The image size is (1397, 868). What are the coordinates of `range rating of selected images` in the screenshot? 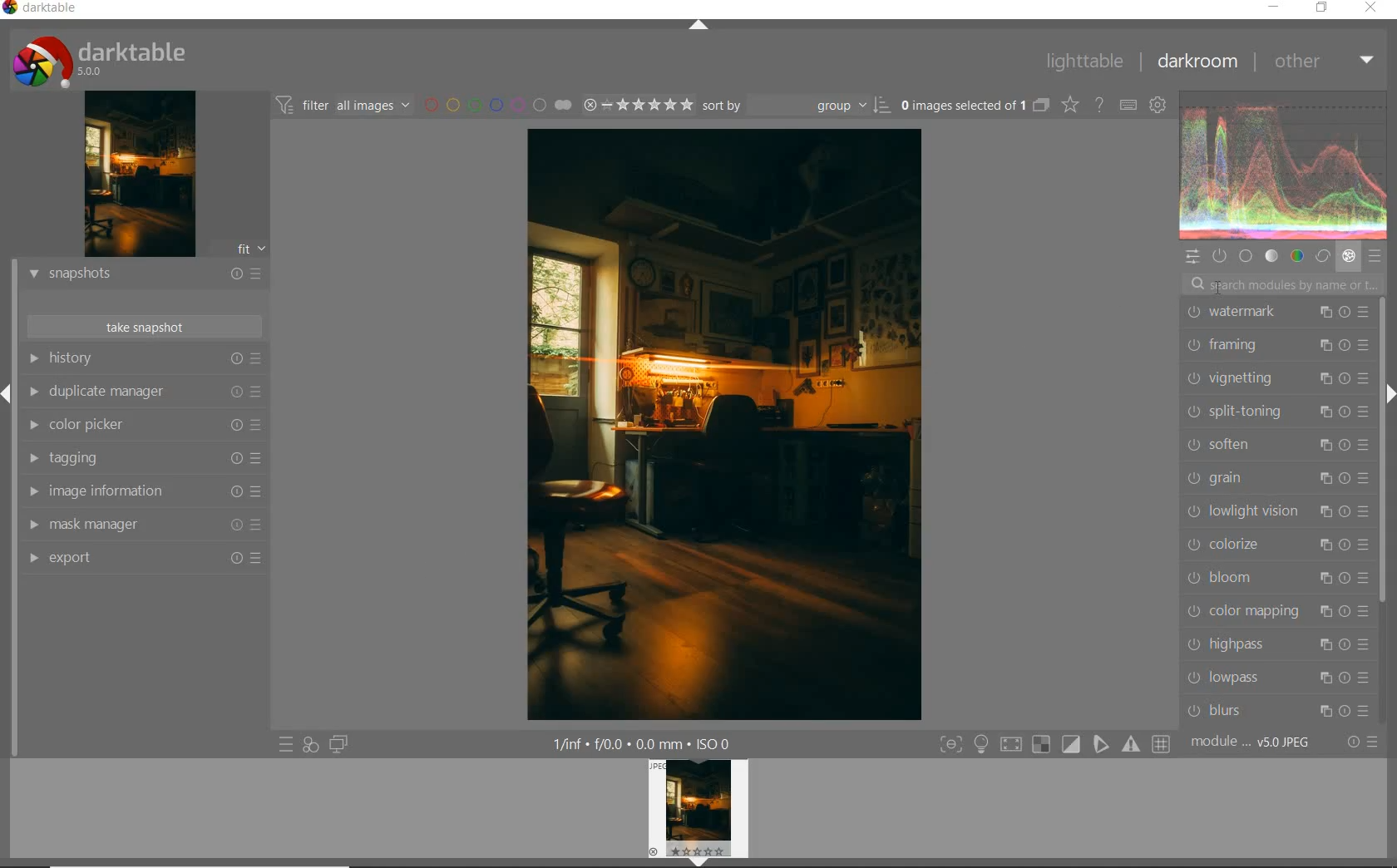 It's located at (638, 105).